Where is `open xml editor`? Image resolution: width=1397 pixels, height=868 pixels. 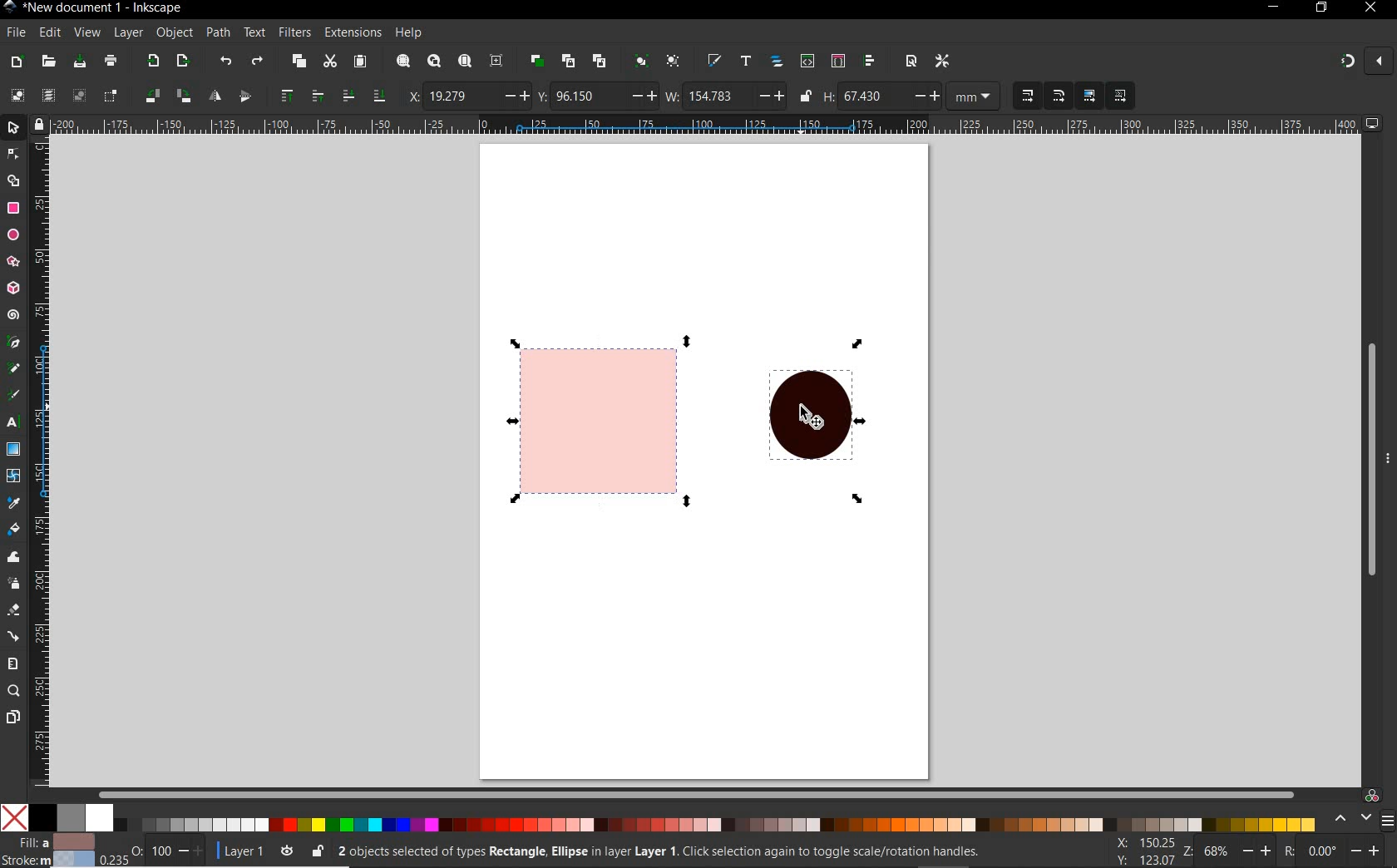
open xml editor is located at coordinates (807, 62).